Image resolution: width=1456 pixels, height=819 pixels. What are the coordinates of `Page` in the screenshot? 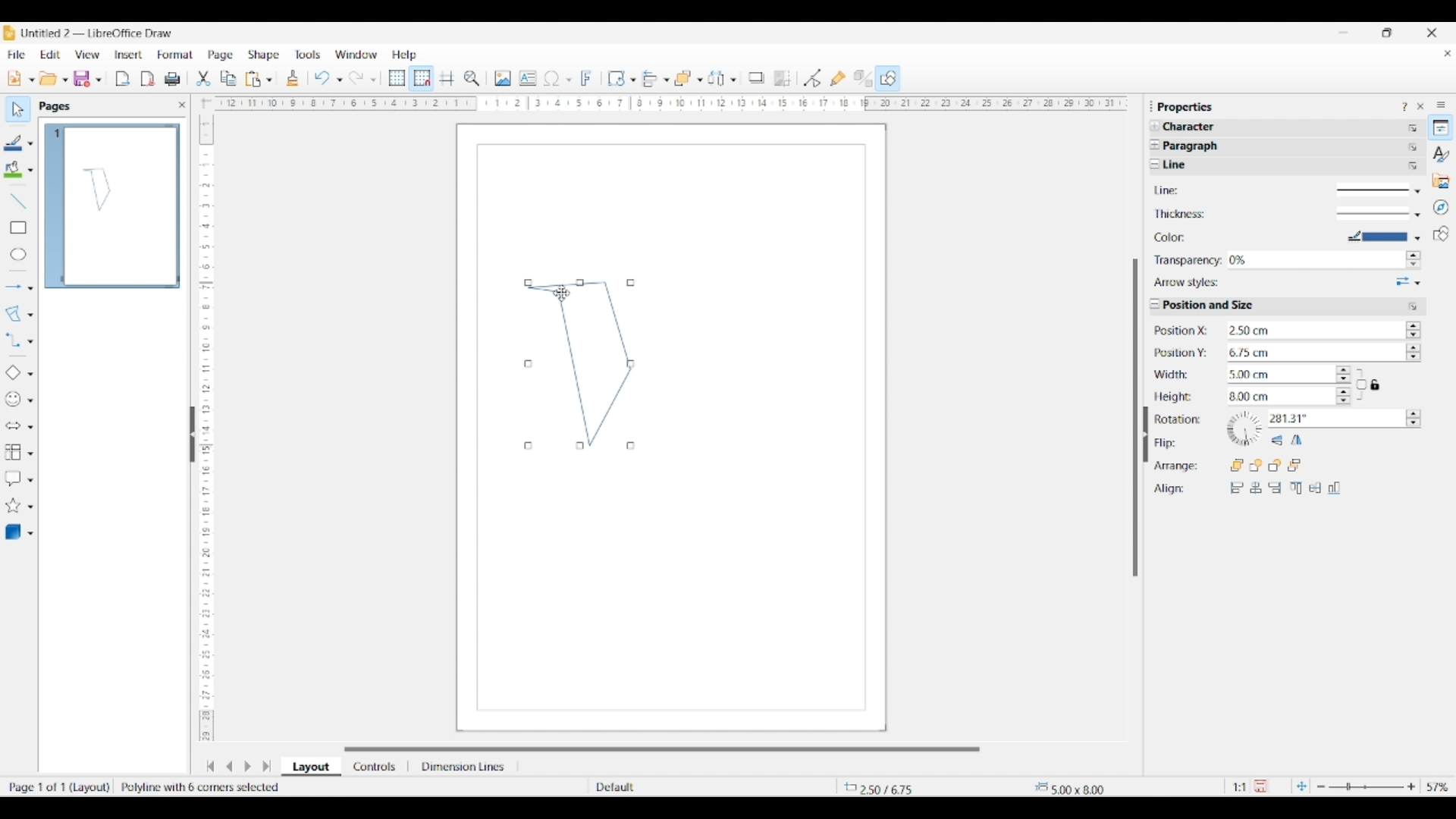 It's located at (221, 56).